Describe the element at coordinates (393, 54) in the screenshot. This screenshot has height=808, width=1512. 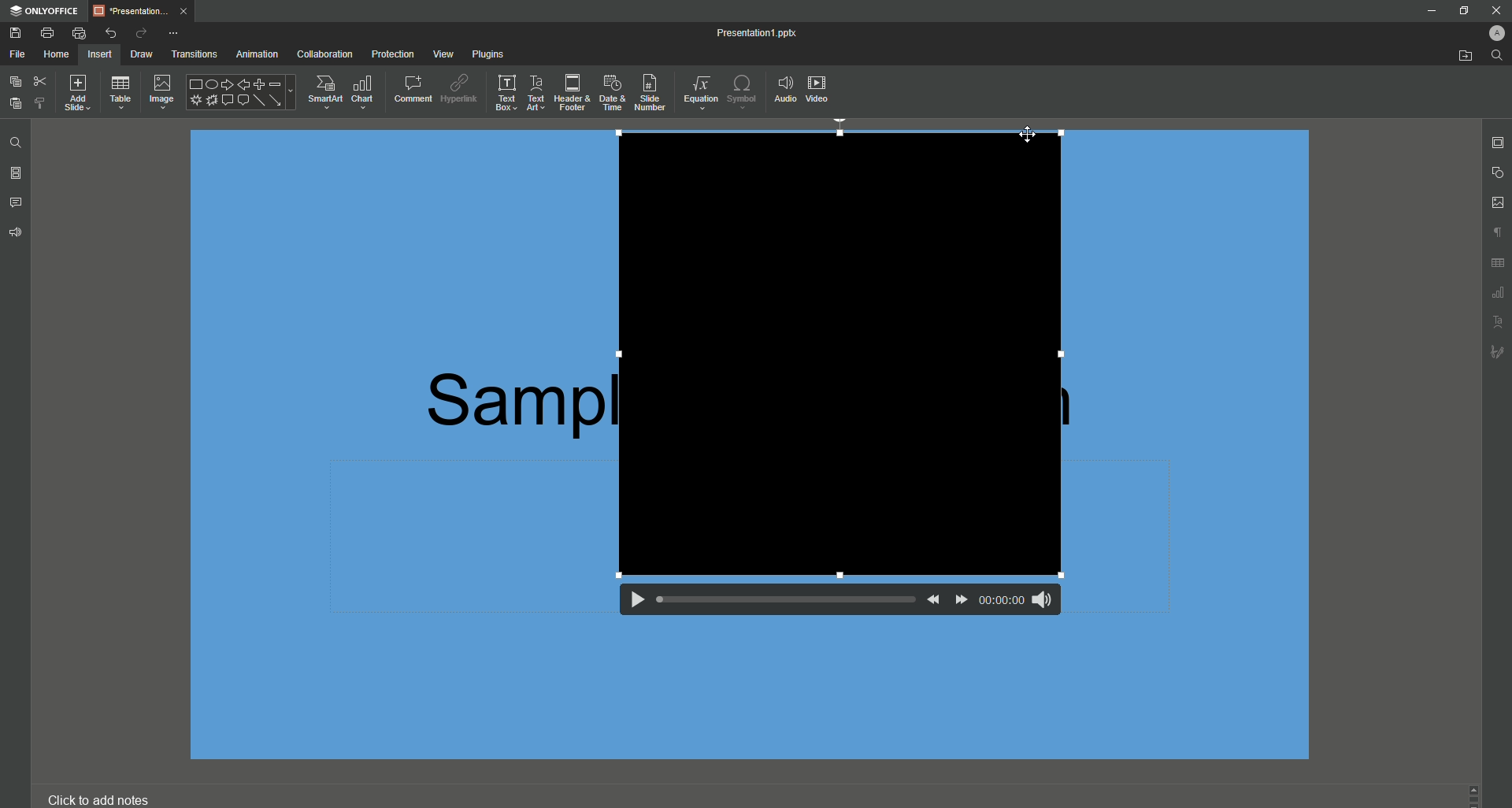
I see `Protection` at that location.